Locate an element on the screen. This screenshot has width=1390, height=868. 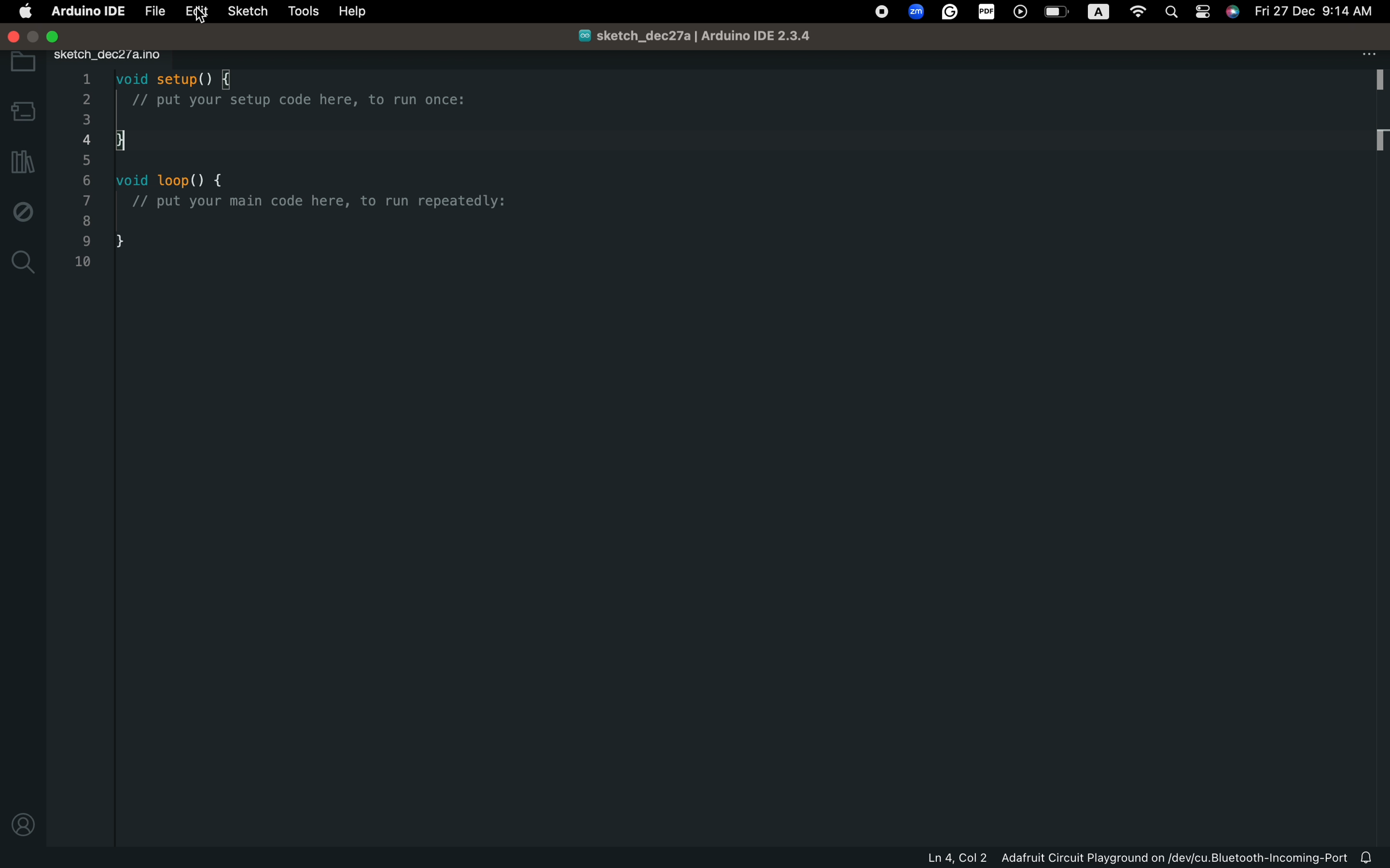
sketch_dec27/a.ino is located at coordinates (108, 56).